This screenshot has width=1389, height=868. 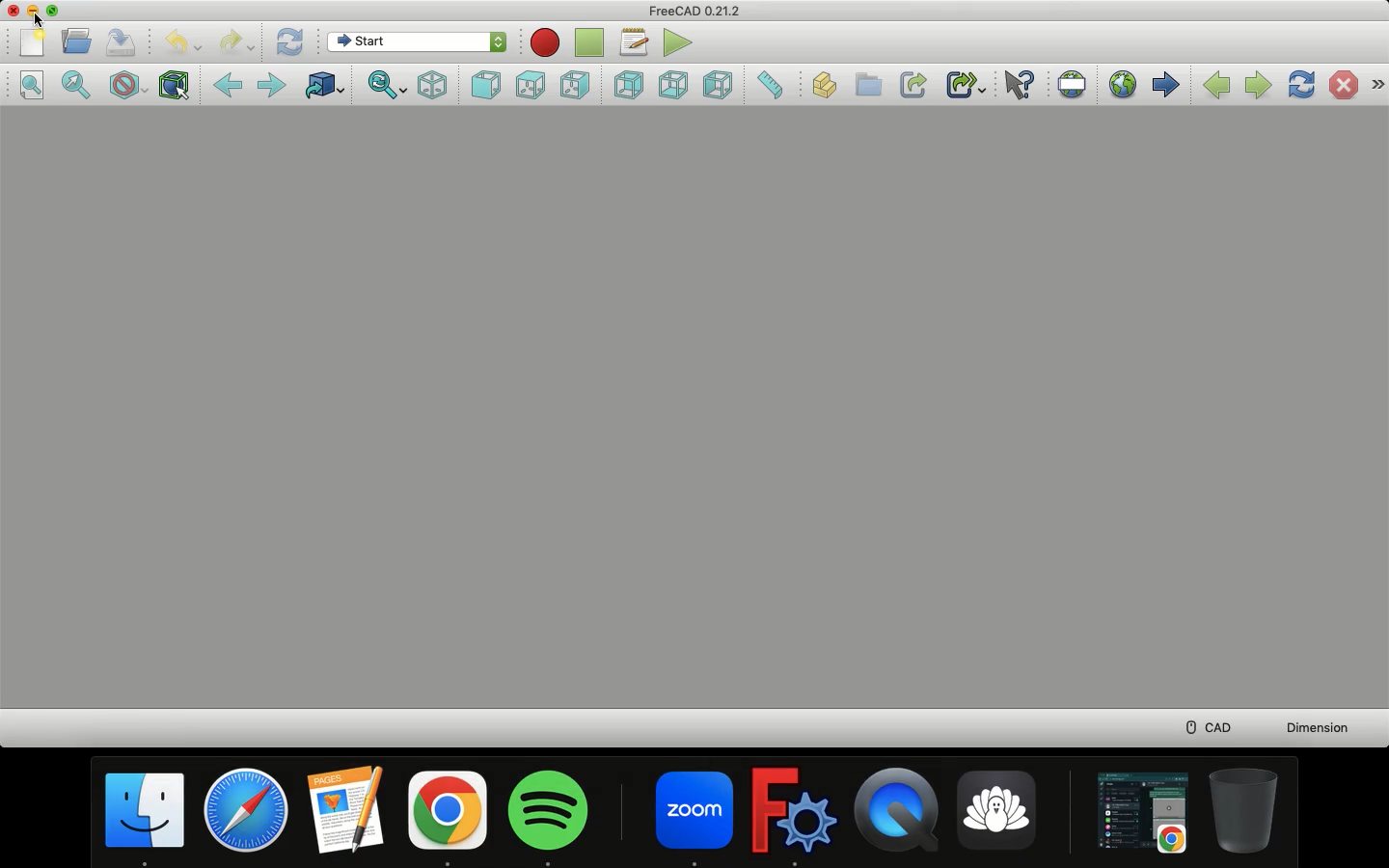 What do you see at coordinates (448, 817) in the screenshot?
I see `Chrome` at bounding box center [448, 817].